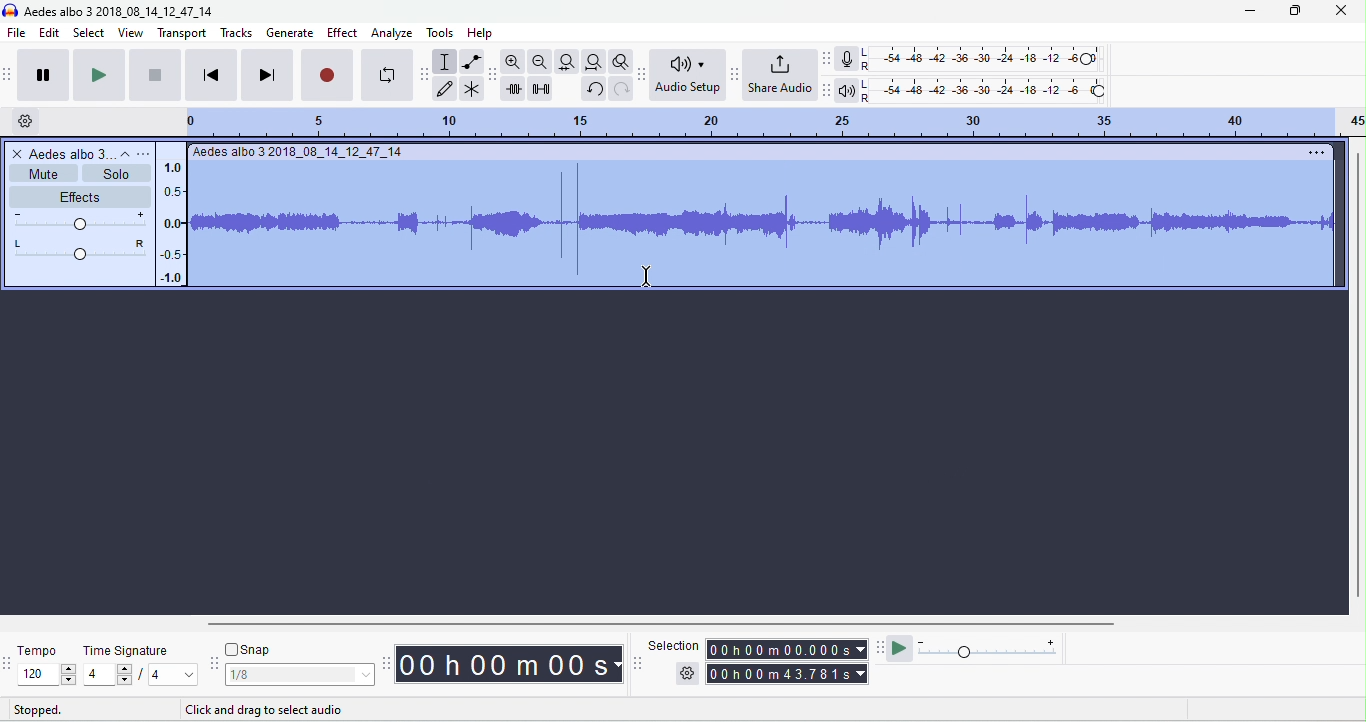 The image size is (1366, 722). I want to click on audacity transport toolbar, so click(9, 72).